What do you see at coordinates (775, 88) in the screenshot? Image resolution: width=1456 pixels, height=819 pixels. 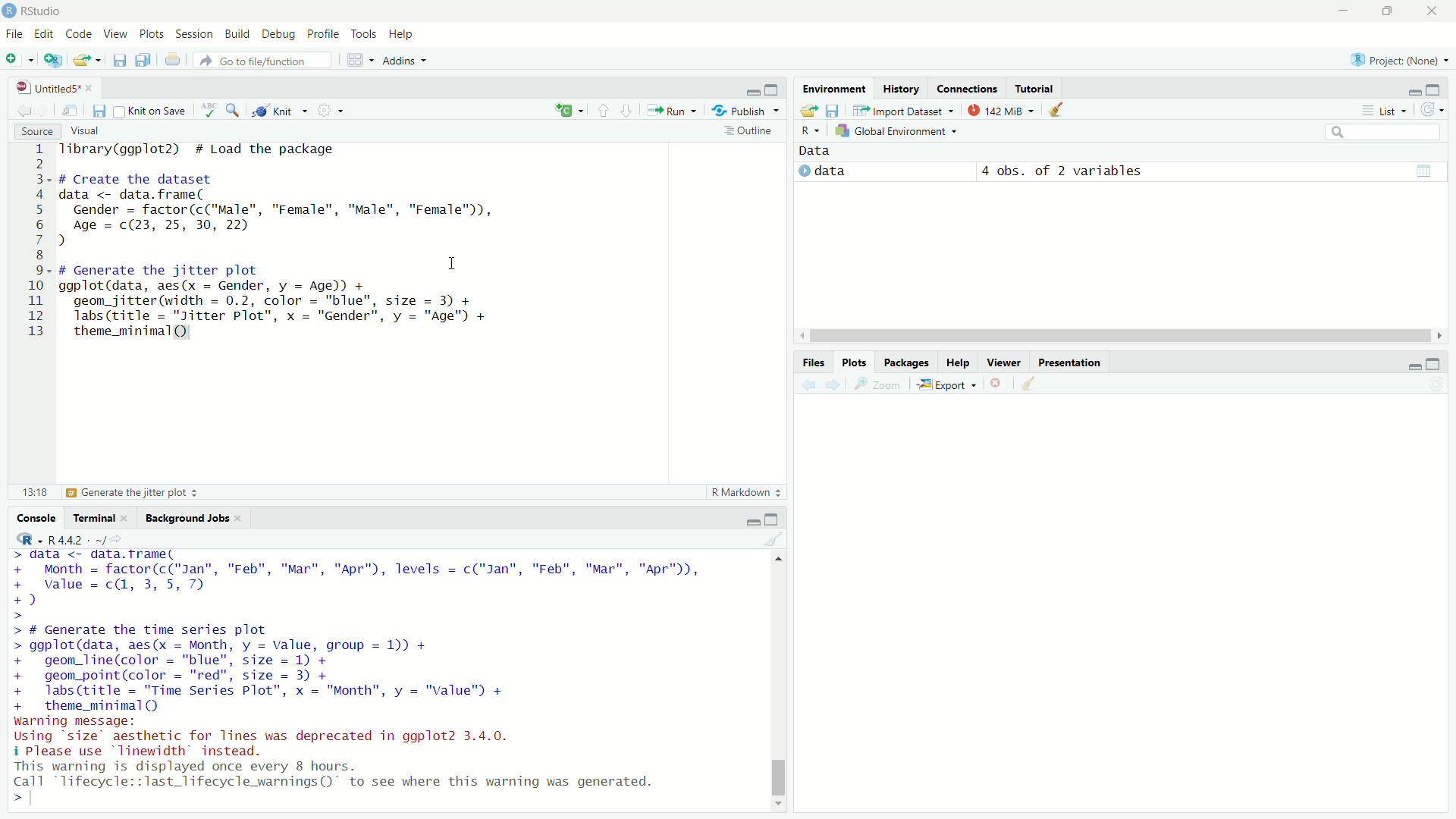 I see `maximize` at bounding box center [775, 88].